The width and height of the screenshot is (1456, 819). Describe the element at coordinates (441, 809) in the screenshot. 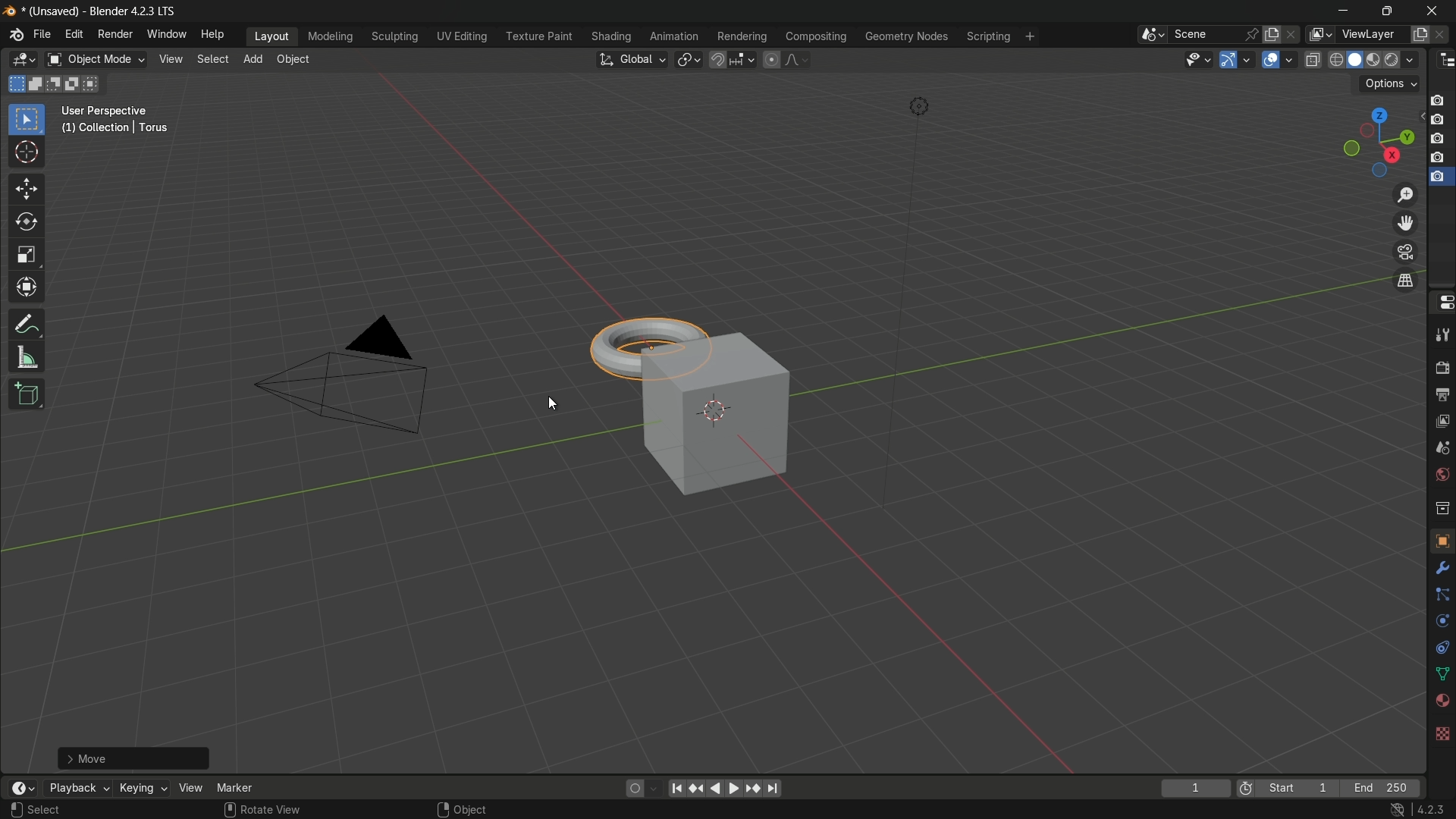

I see `right click mouse` at that location.